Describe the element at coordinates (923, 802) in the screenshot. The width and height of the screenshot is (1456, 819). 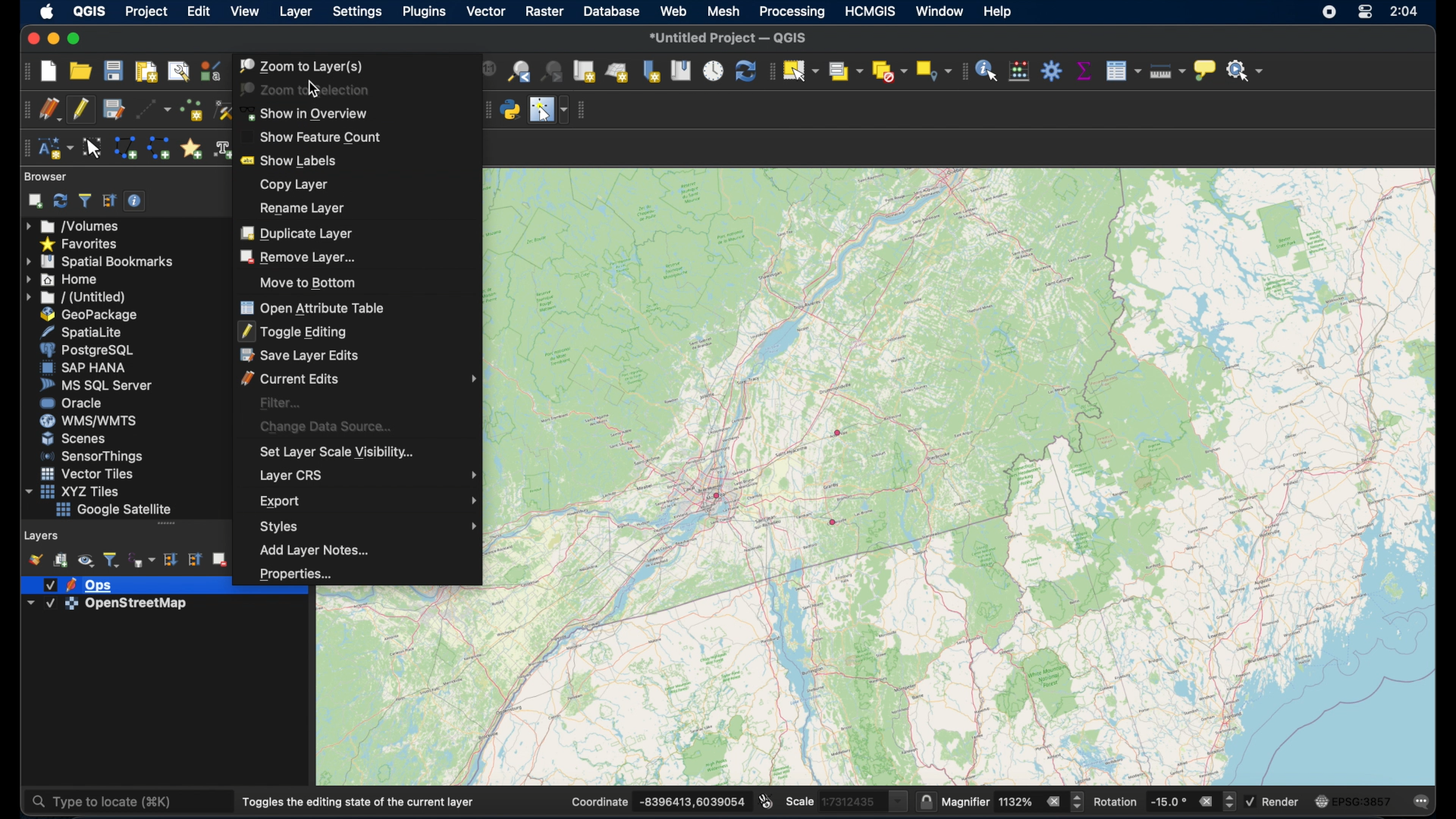
I see `lock scale` at that location.